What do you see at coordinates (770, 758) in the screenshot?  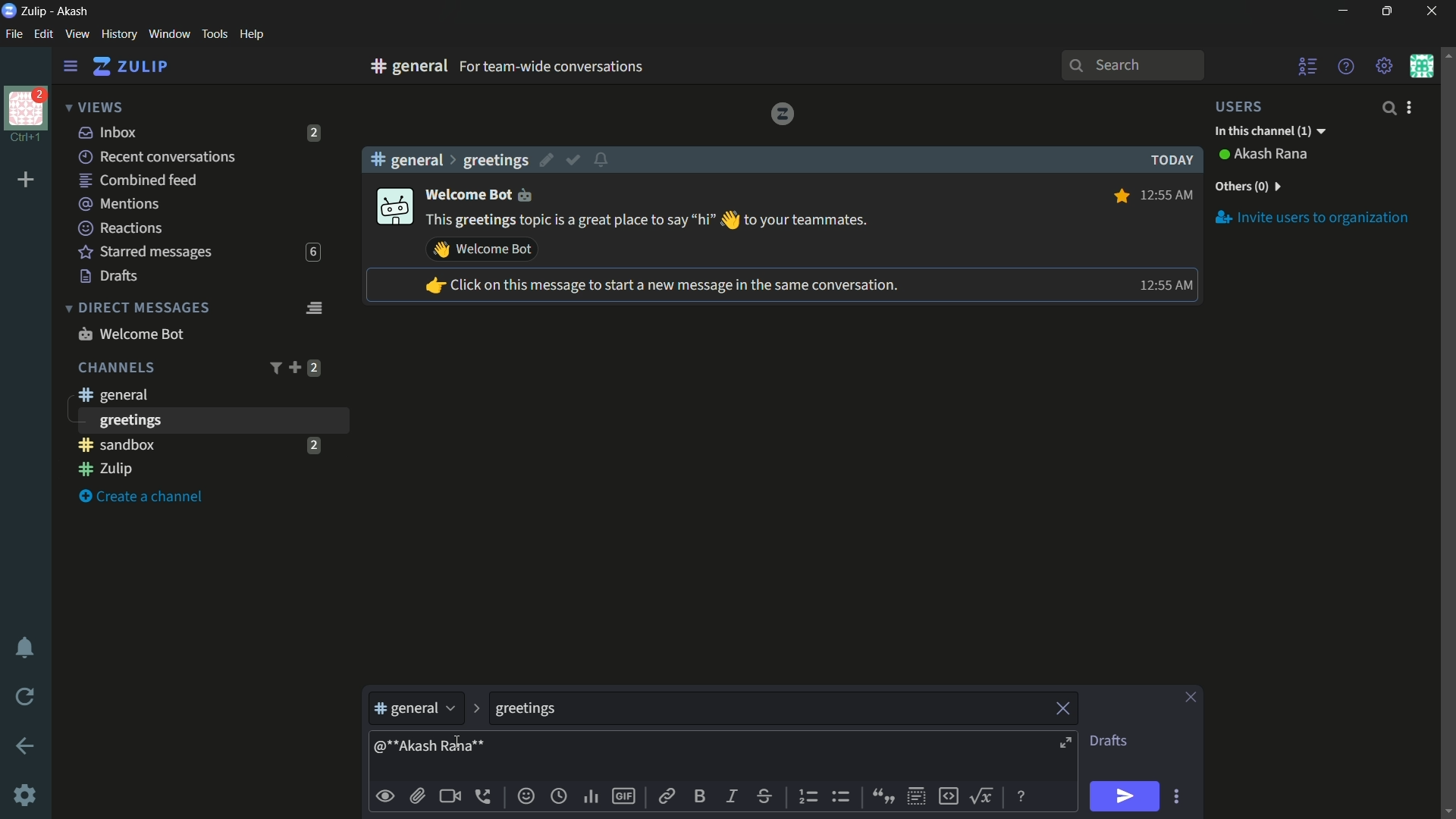 I see `message body` at bounding box center [770, 758].